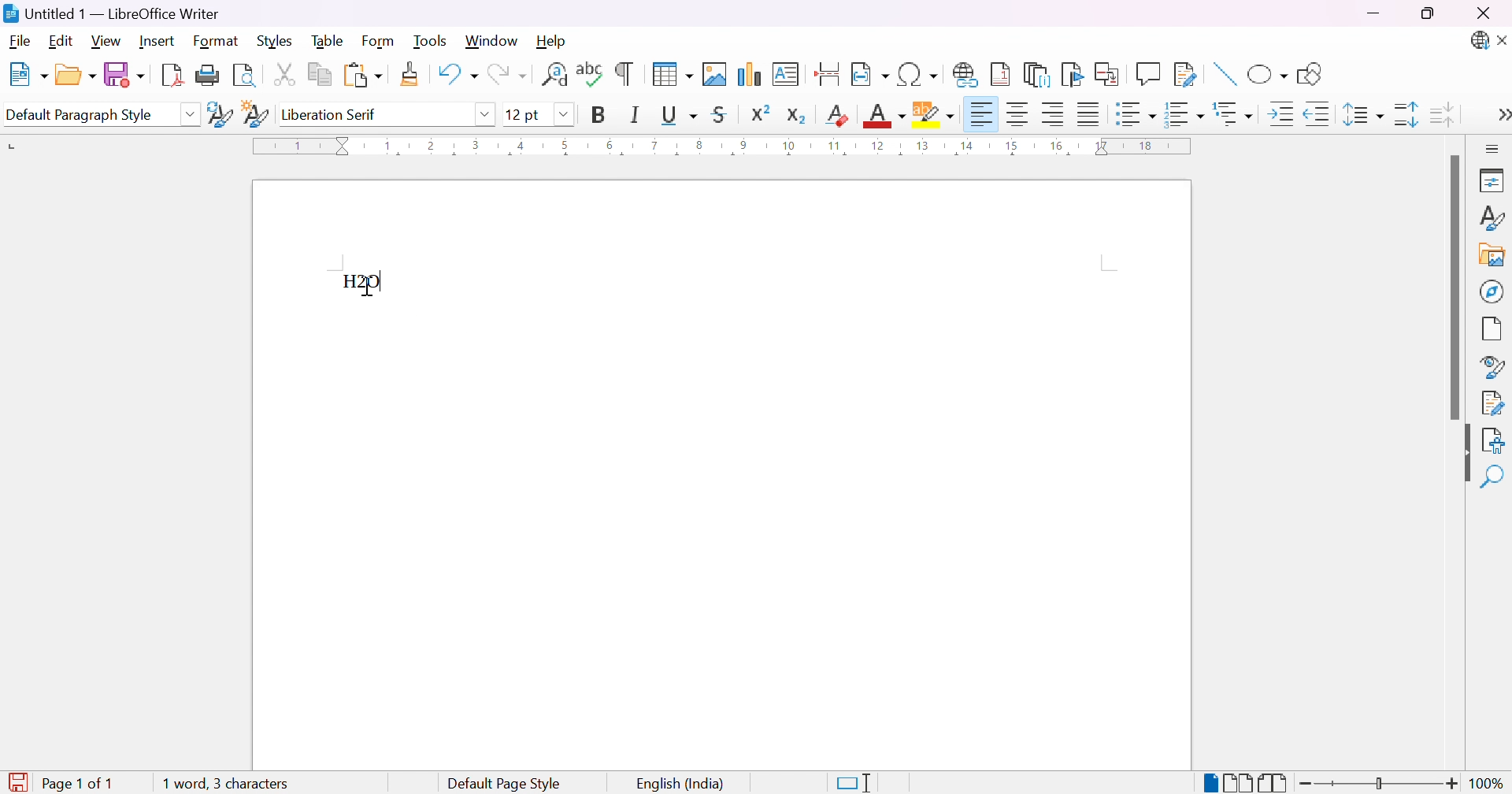  What do you see at coordinates (829, 74) in the screenshot?
I see `Insert page break` at bounding box center [829, 74].